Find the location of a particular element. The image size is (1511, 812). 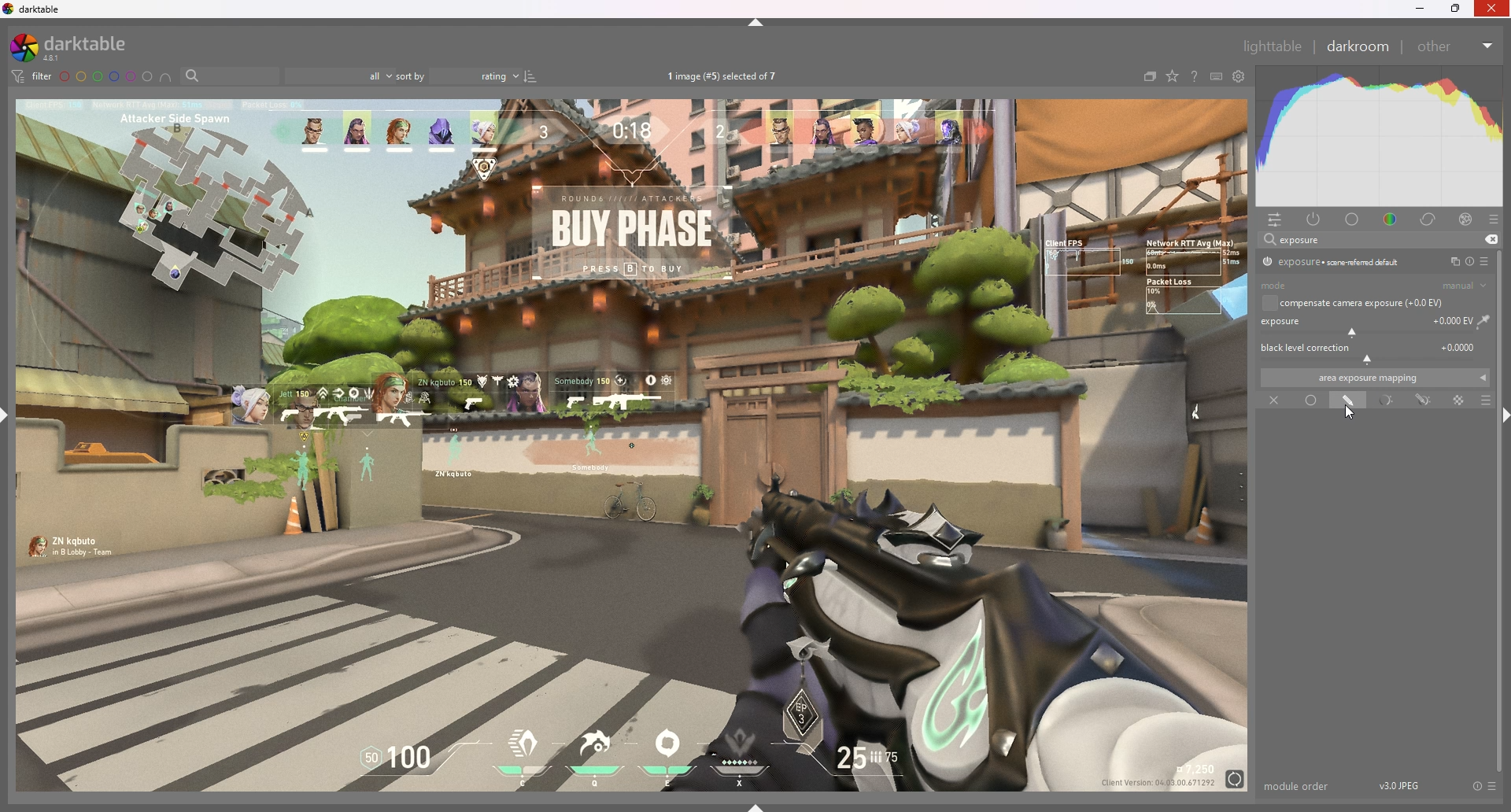

image is located at coordinates (634, 445).